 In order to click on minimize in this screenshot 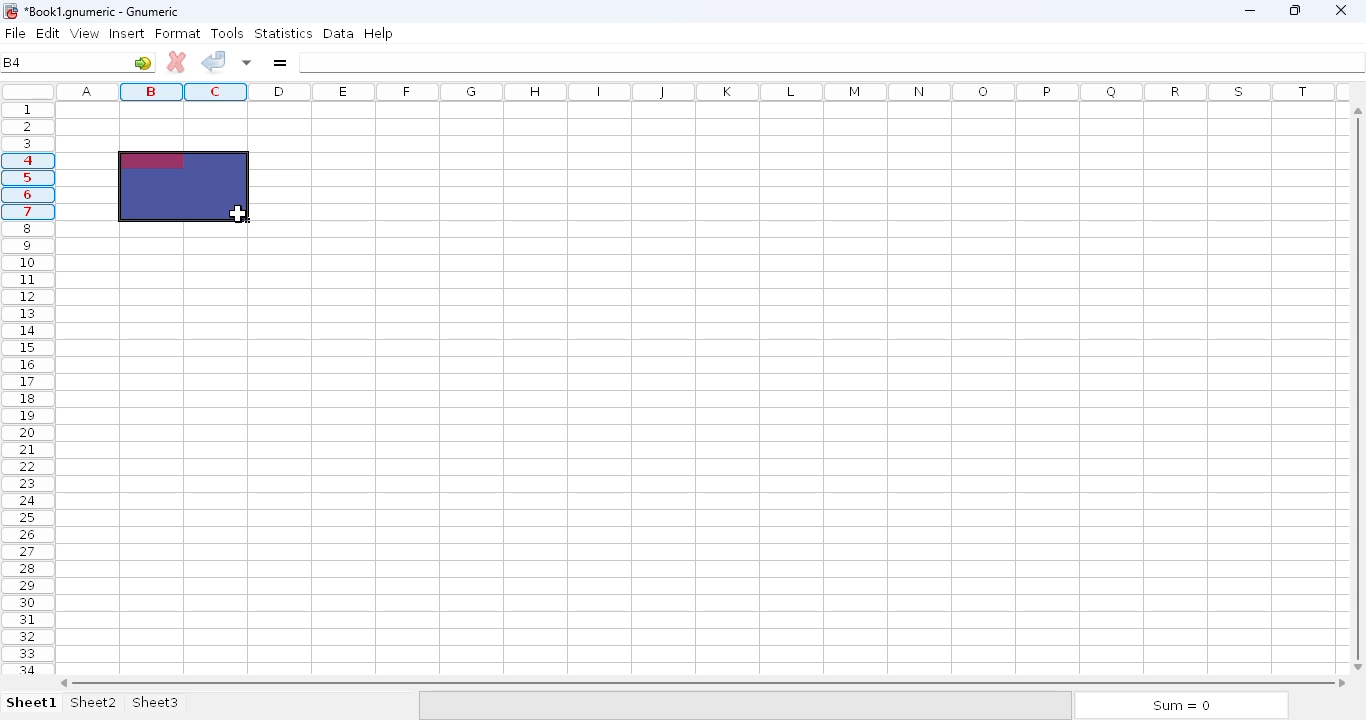, I will do `click(1250, 11)`.